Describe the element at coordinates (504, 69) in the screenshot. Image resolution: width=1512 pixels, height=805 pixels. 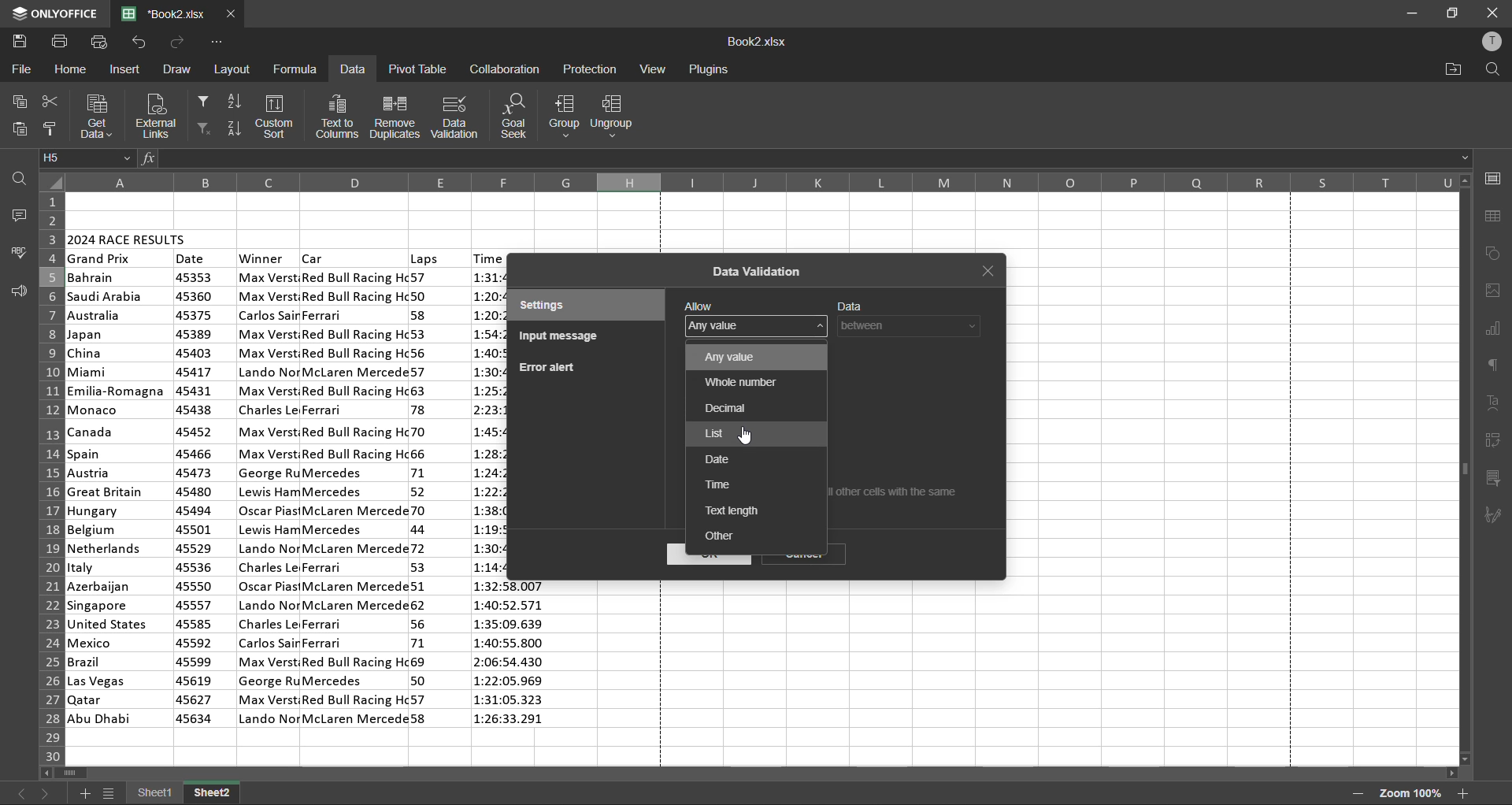
I see `collaboration` at that location.